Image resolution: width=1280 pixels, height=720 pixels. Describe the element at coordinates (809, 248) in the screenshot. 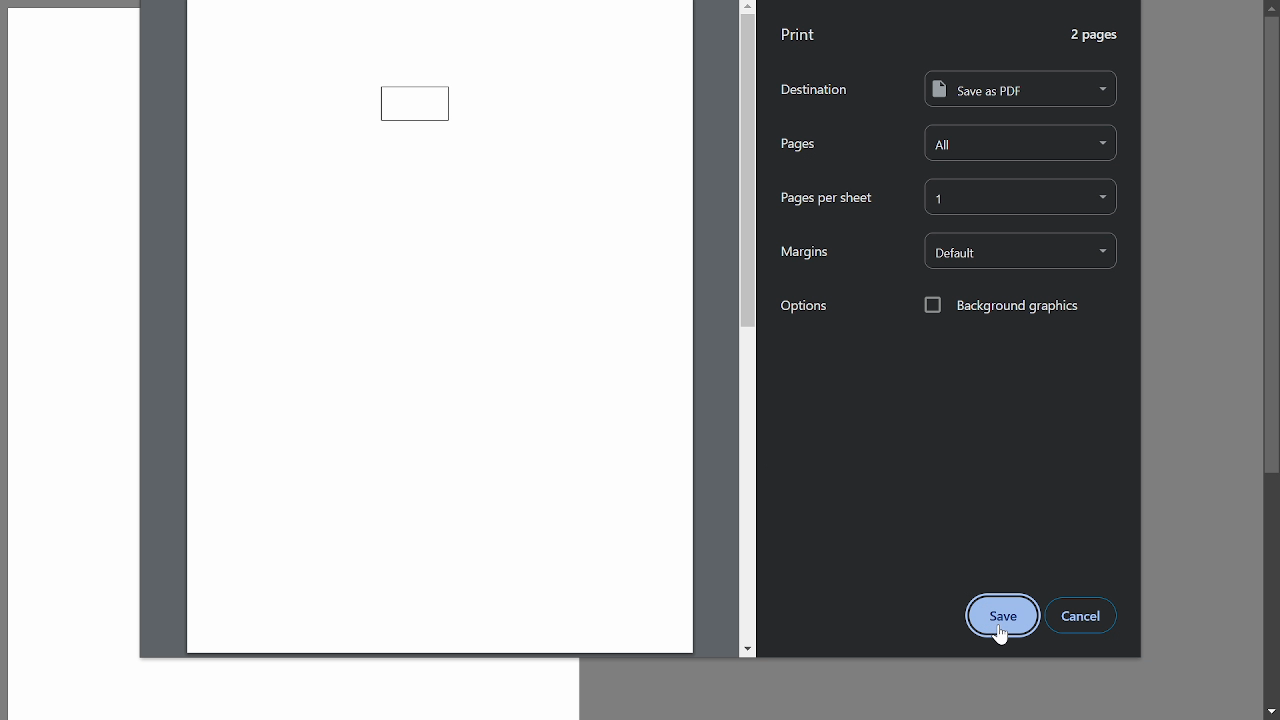

I see `margins` at that location.